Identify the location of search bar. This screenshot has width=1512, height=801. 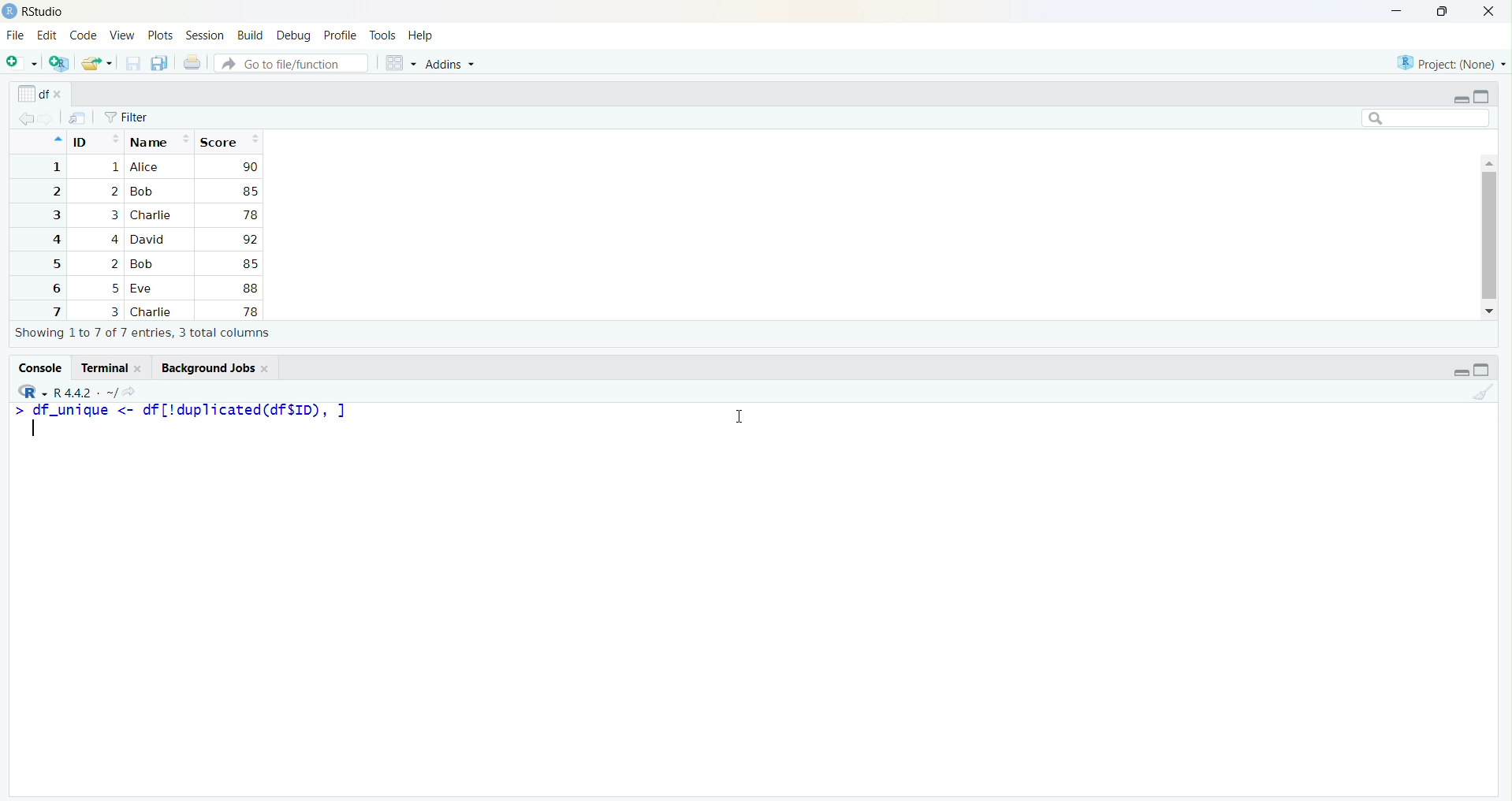
(1426, 117).